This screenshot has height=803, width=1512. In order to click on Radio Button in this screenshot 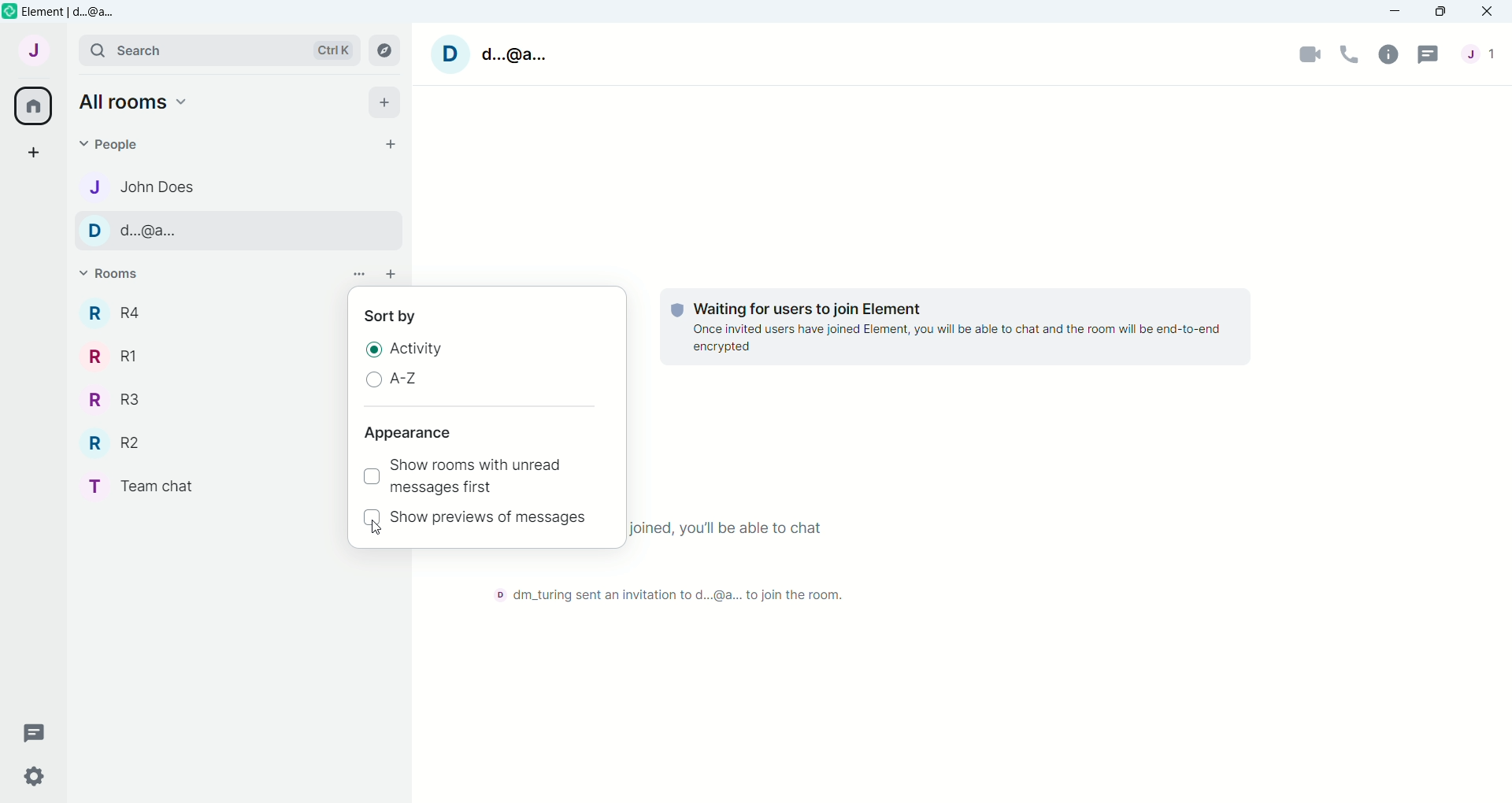, I will do `click(375, 348)`.